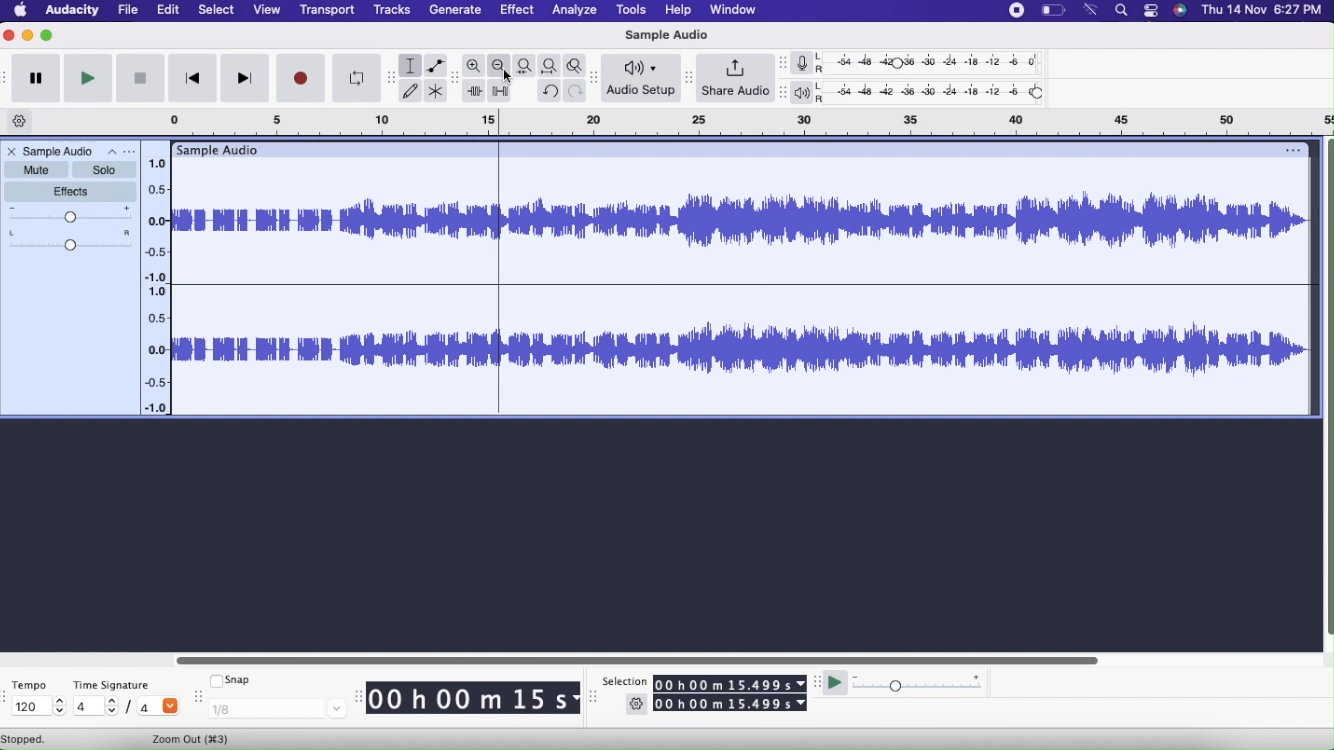  I want to click on Solo, so click(105, 169).